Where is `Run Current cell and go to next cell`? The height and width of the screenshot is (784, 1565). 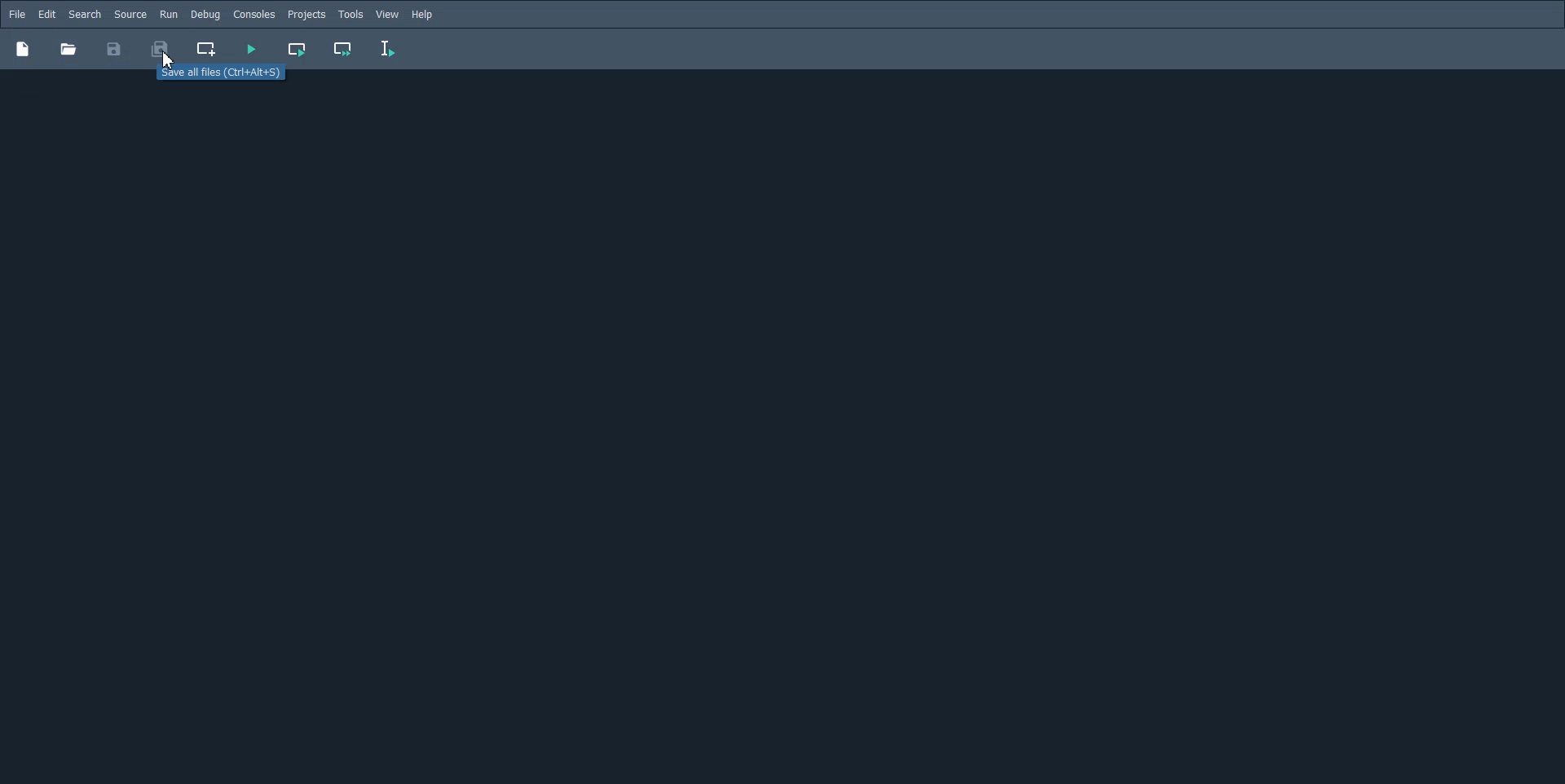 Run Current cell and go to next cell is located at coordinates (344, 50).